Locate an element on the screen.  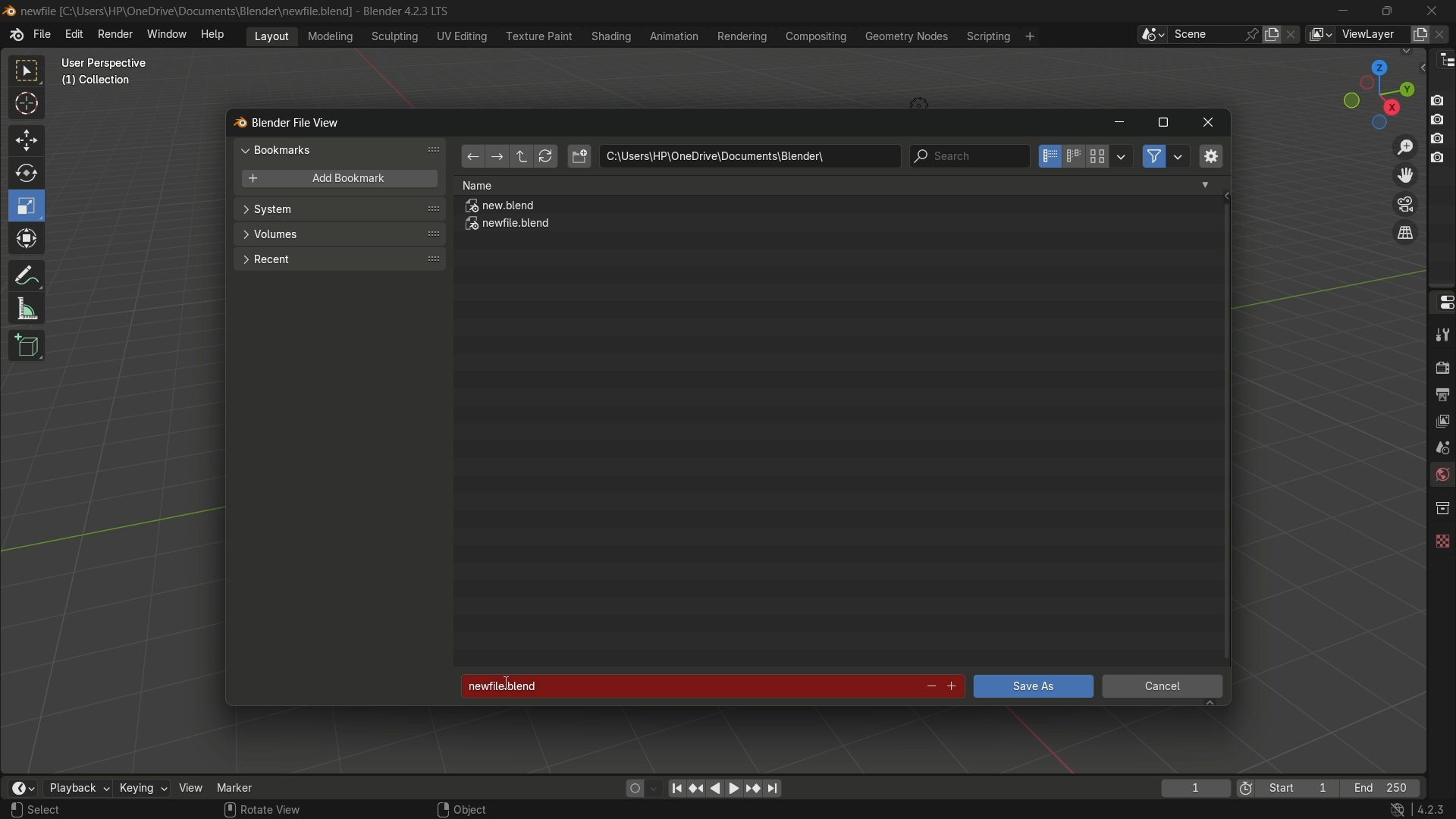
refresh is located at coordinates (545, 157).